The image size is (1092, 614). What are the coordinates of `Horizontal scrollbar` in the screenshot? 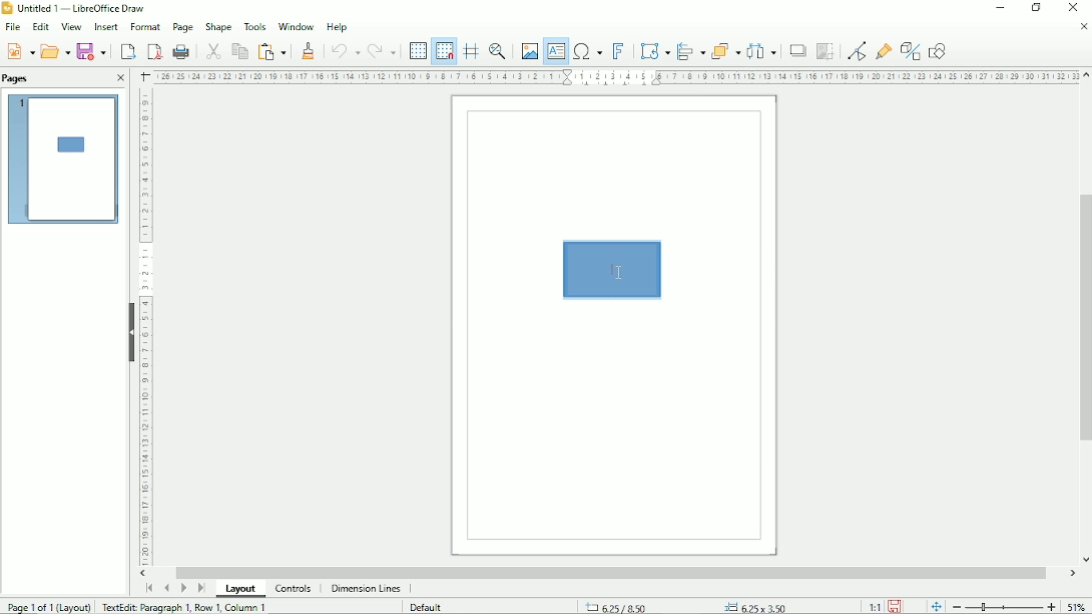 It's located at (612, 571).